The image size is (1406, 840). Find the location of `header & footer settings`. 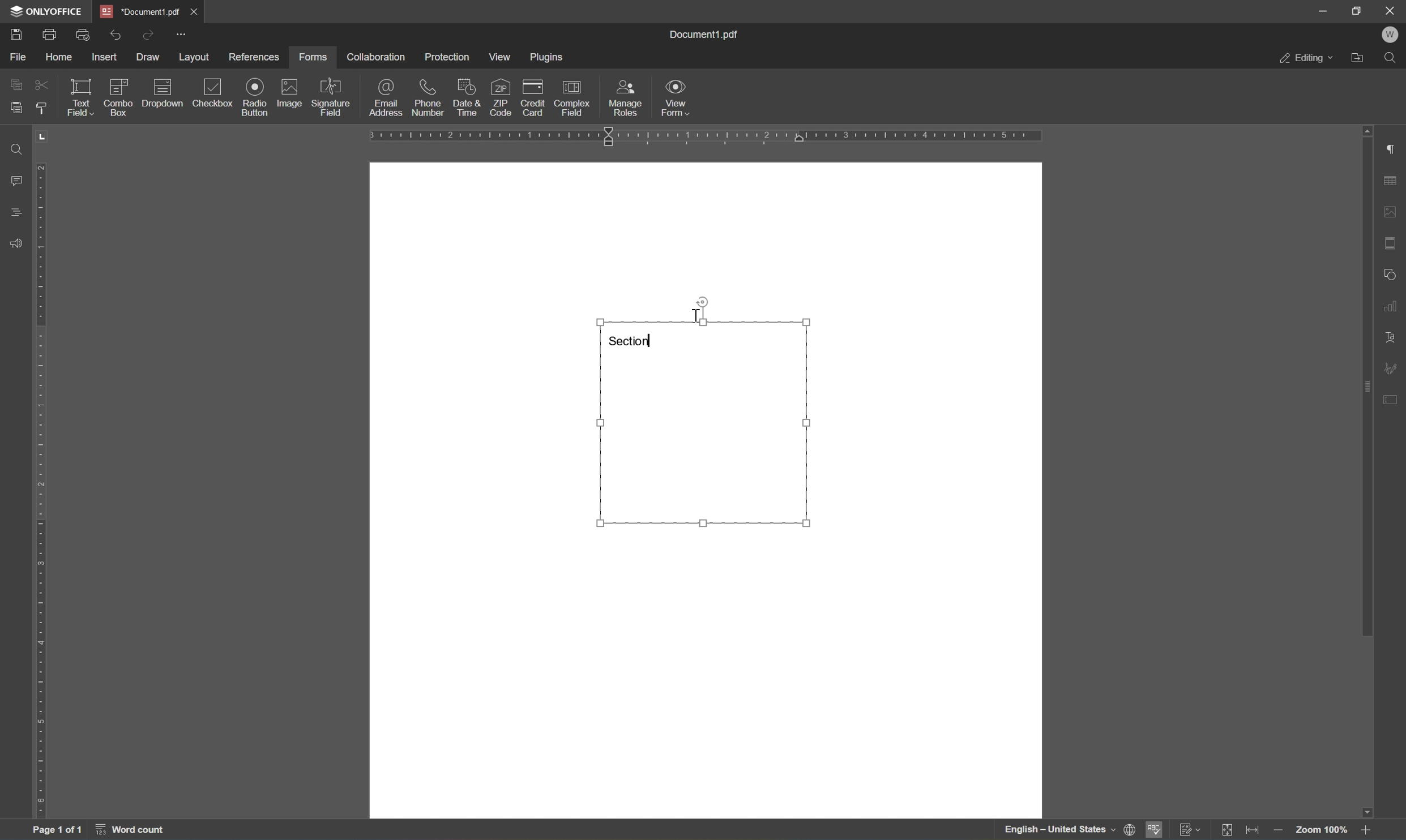

header & footer settings is located at coordinates (1391, 244).